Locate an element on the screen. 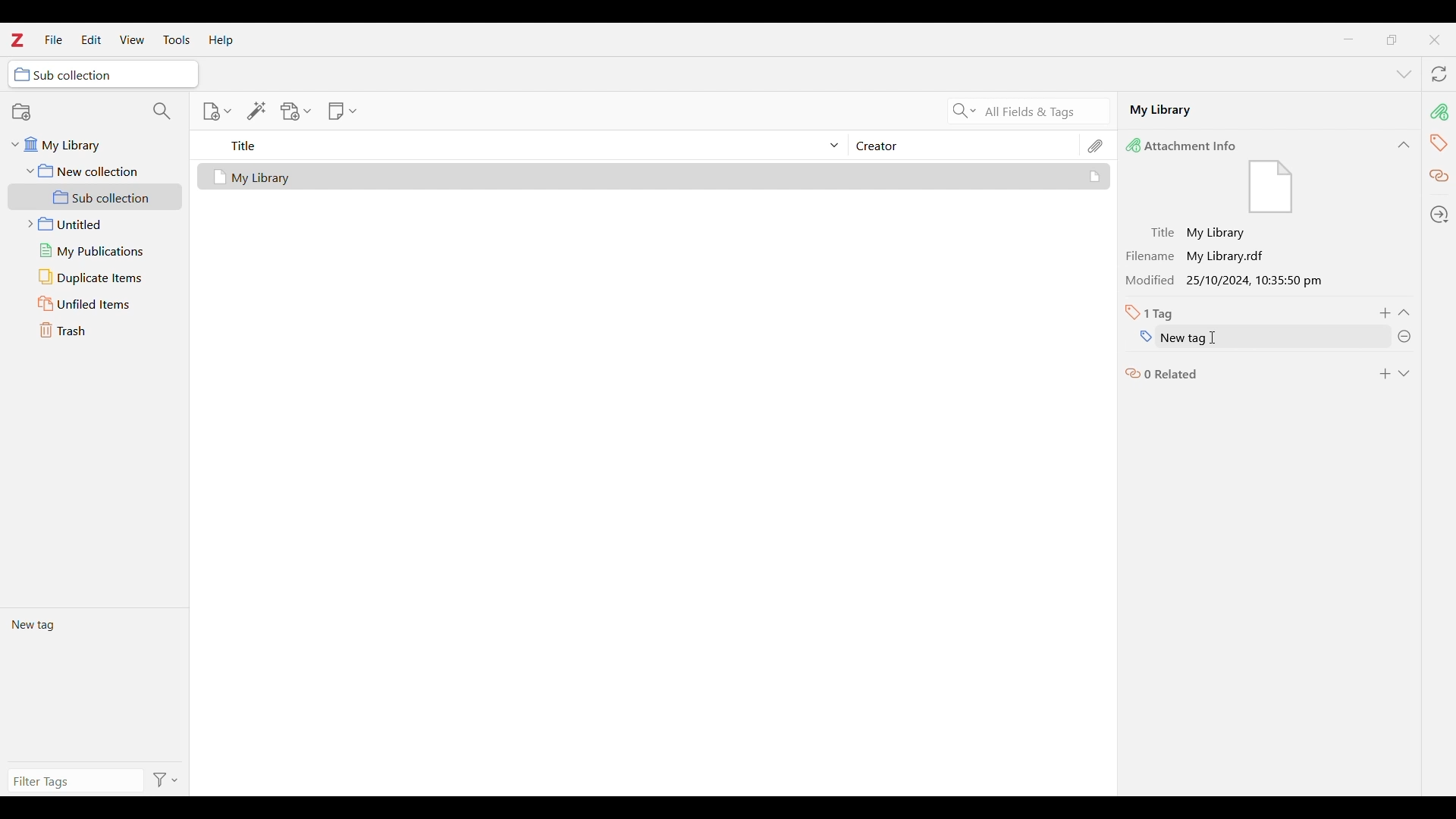  Search criteria options is located at coordinates (965, 110).